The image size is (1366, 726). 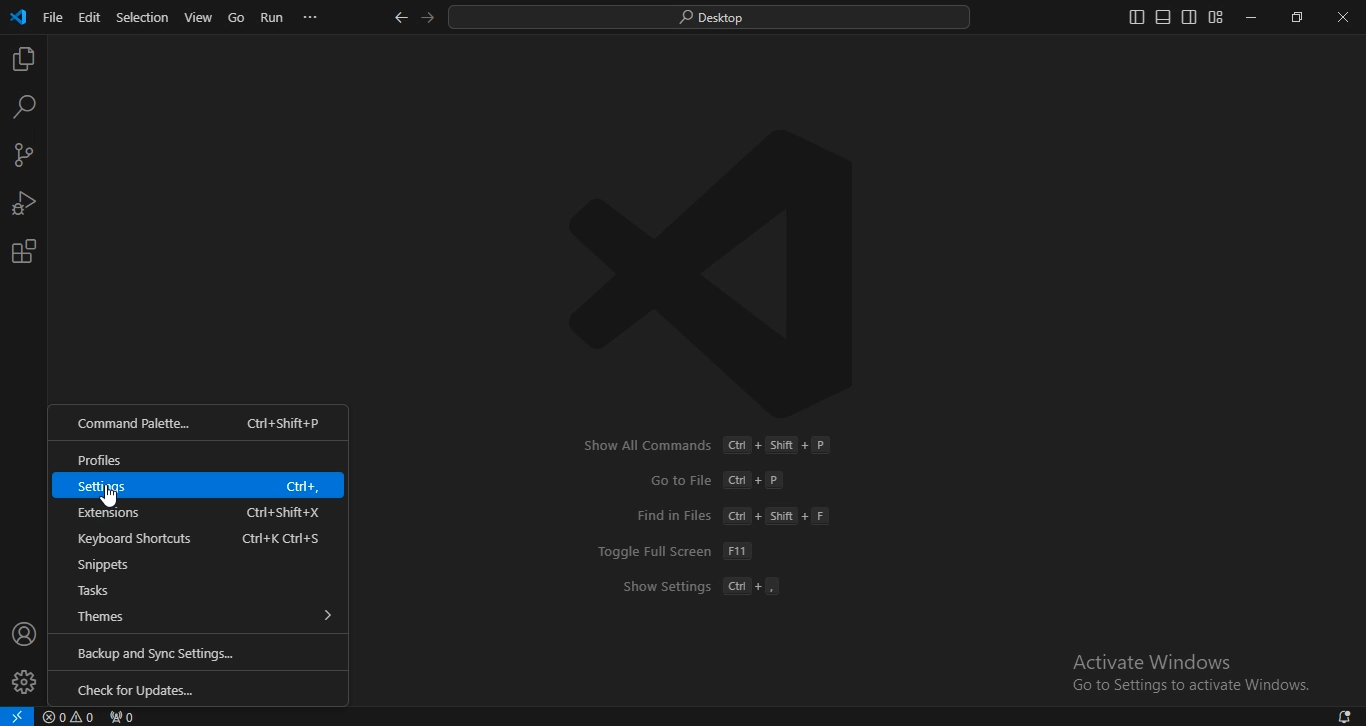 I want to click on close, so click(x=1344, y=16).